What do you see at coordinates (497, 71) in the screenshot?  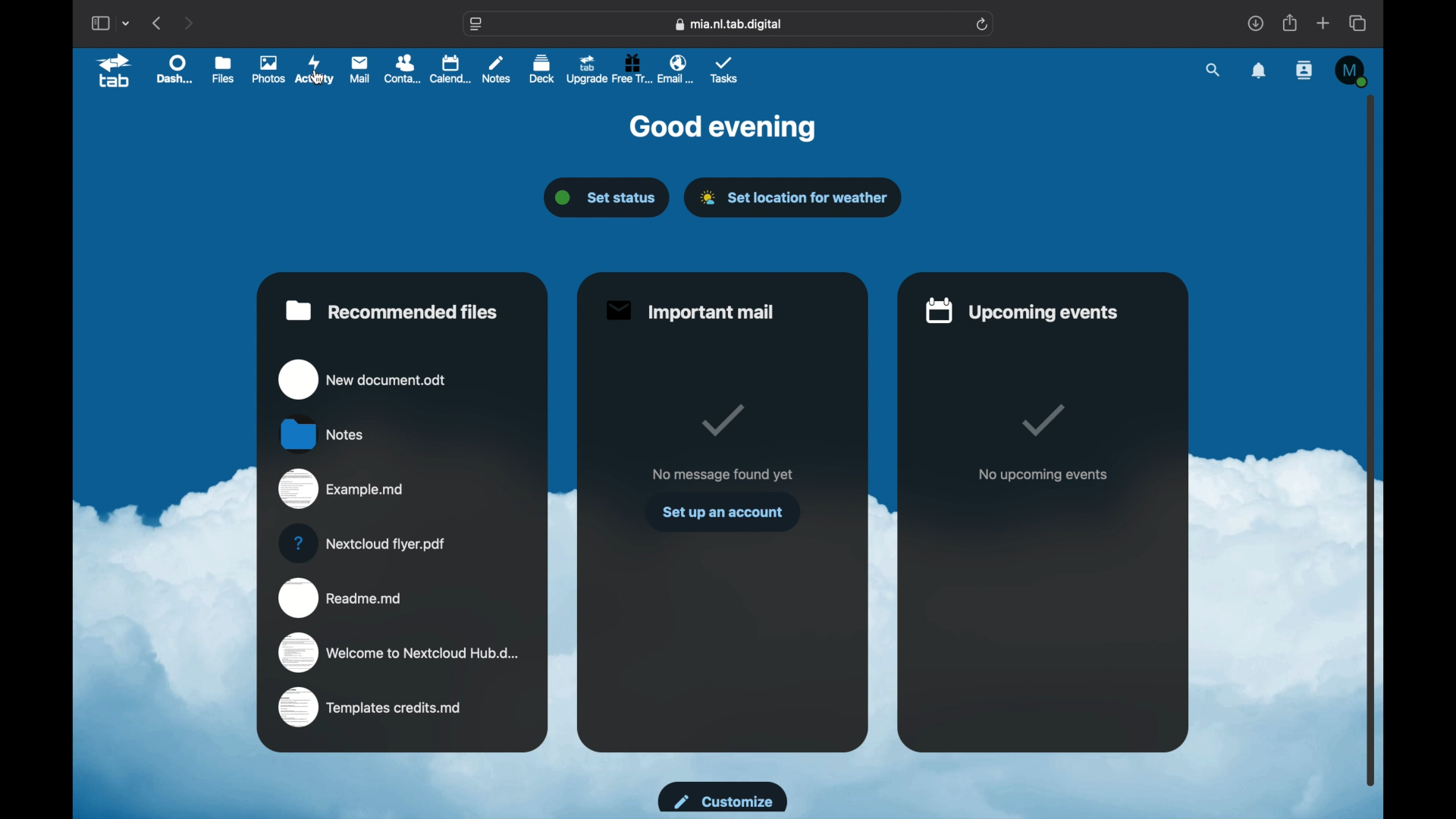 I see `notes` at bounding box center [497, 71].